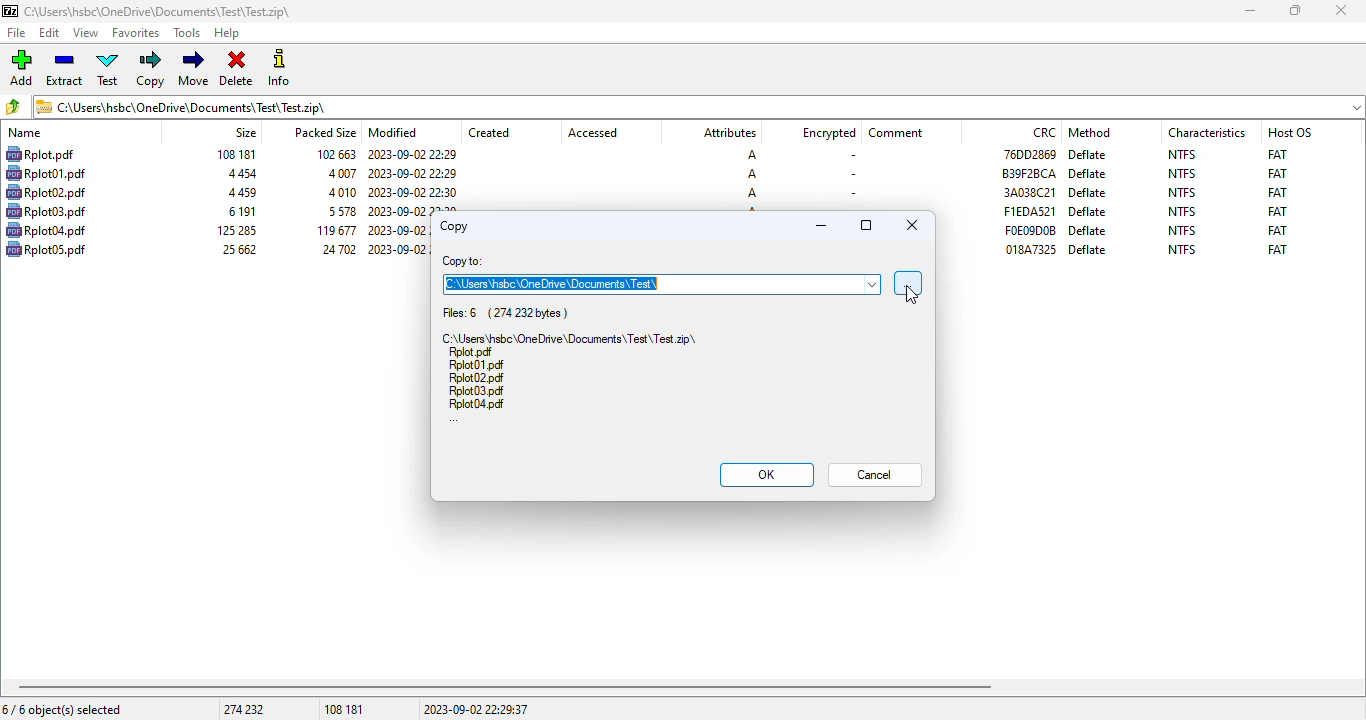 This screenshot has width=1366, height=720. Describe the element at coordinates (394, 132) in the screenshot. I see `modified` at that location.